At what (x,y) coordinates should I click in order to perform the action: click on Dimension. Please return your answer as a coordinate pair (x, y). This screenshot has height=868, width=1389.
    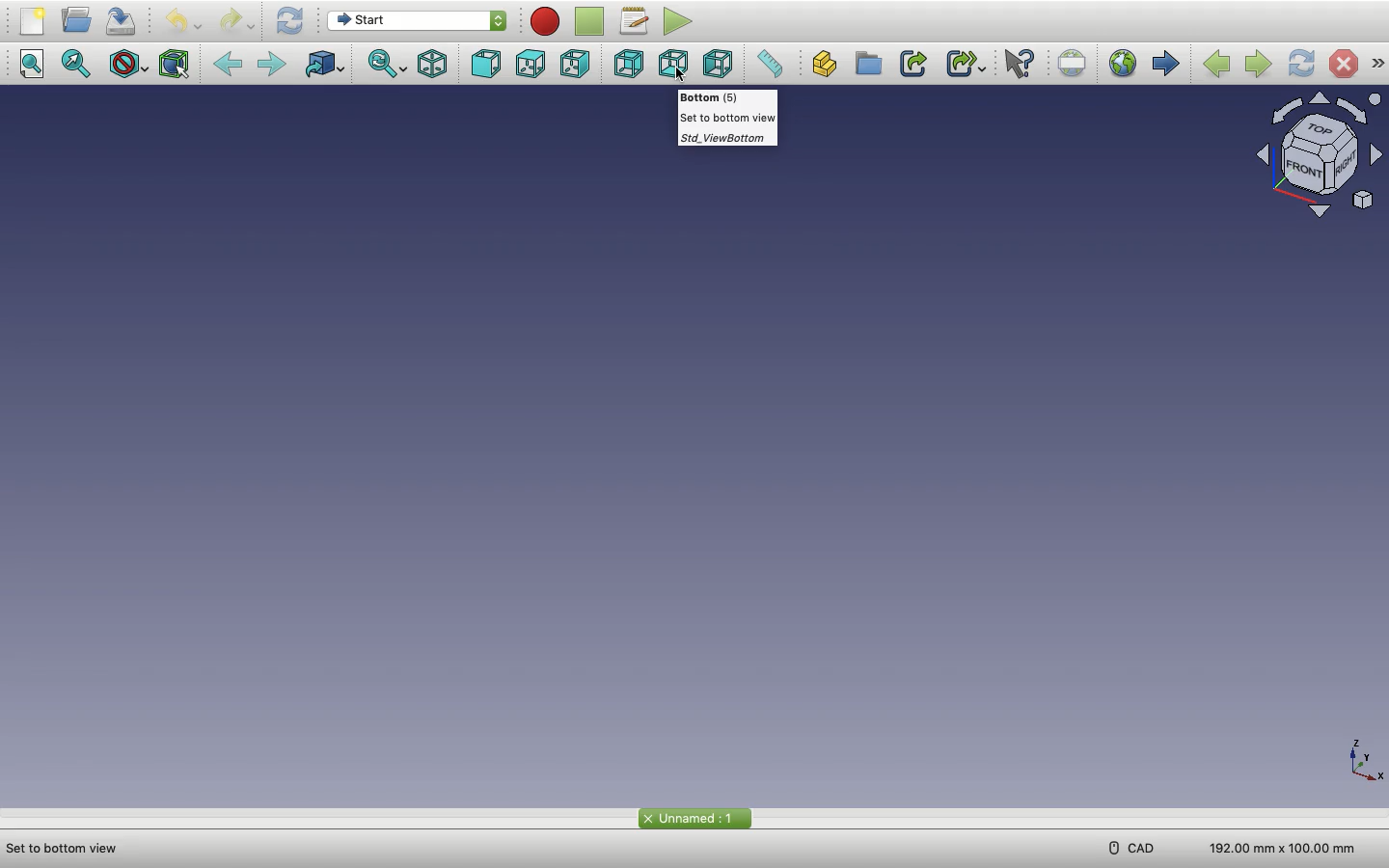
    Looking at the image, I should click on (1276, 845).